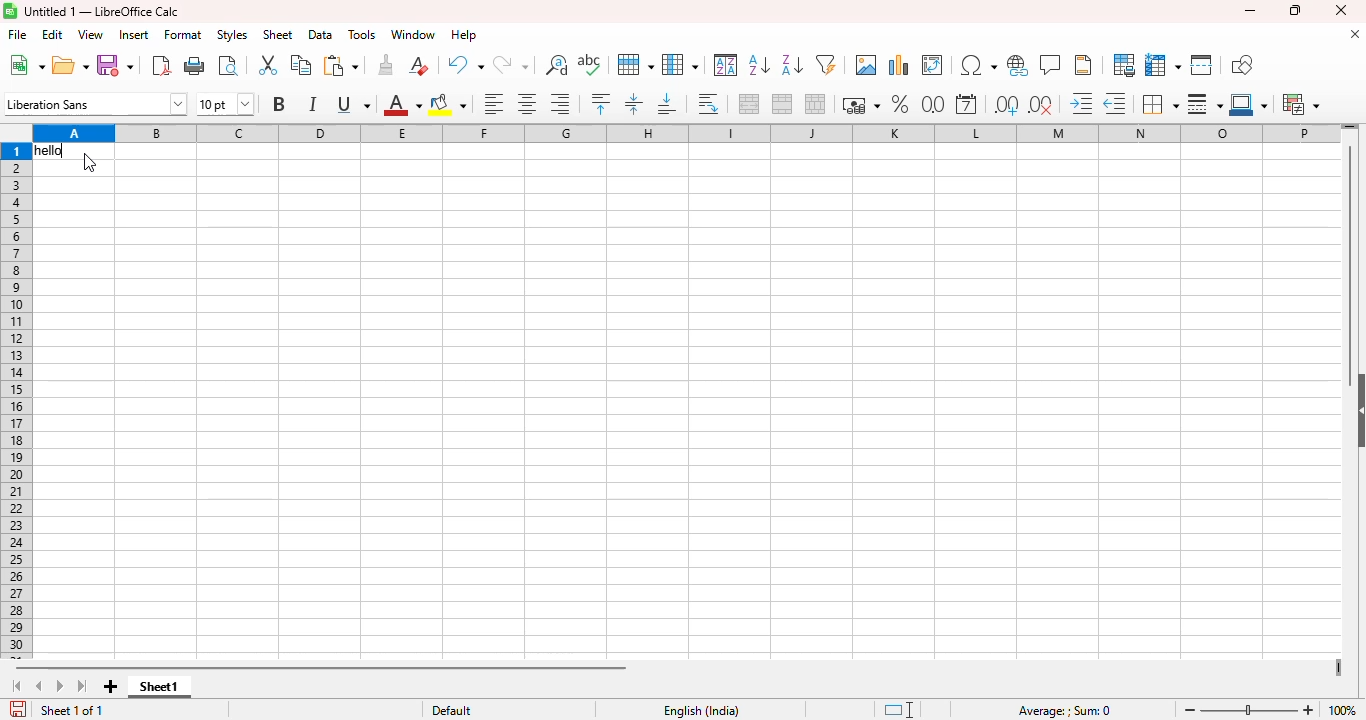  Describe the element at coordinates (899, 104) in the screenshot. I see `format as percent` at that location.